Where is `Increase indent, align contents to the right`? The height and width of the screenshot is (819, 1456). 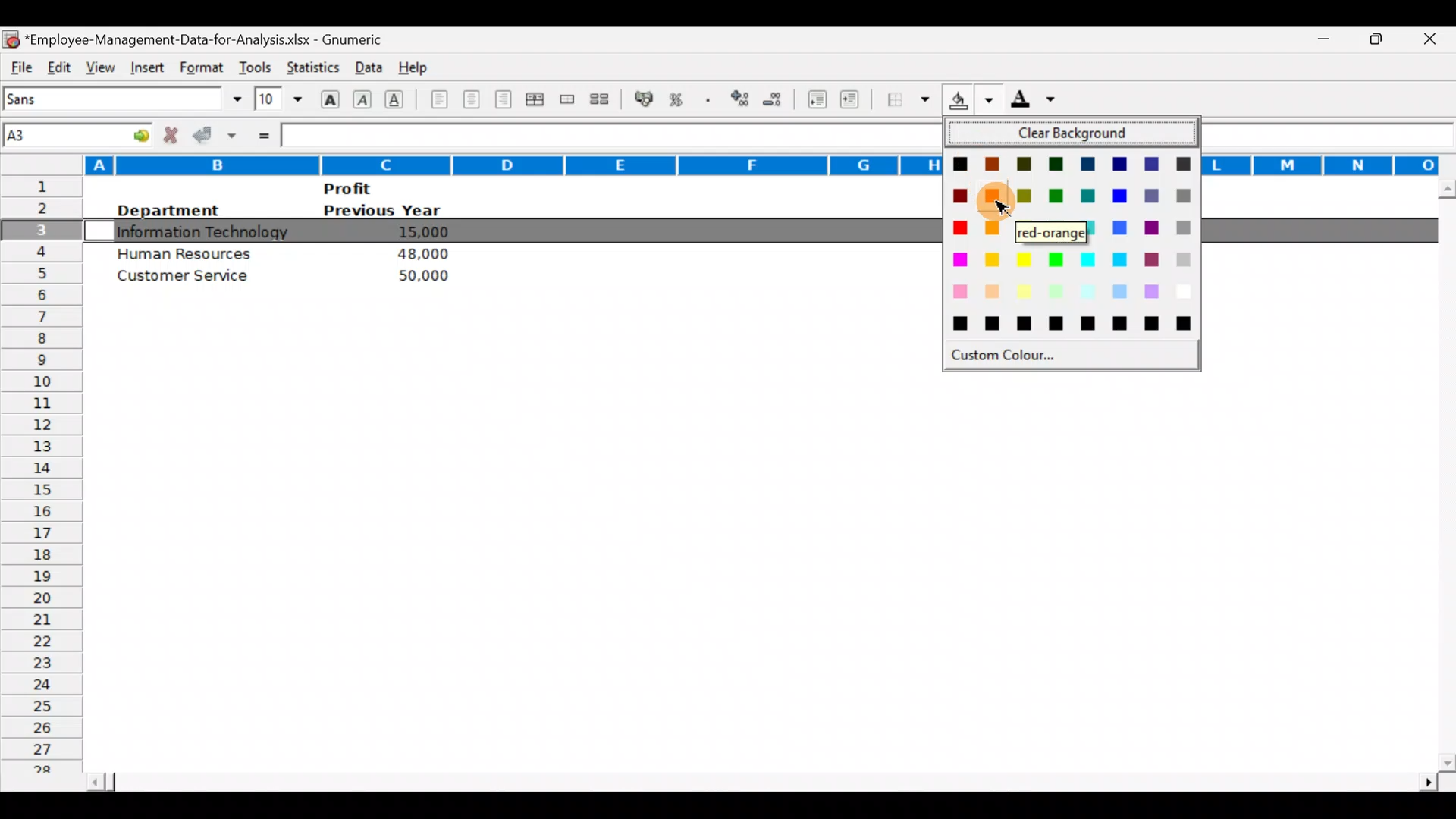
Increase indent, align contents to the right is located at coordinates (852, 101).